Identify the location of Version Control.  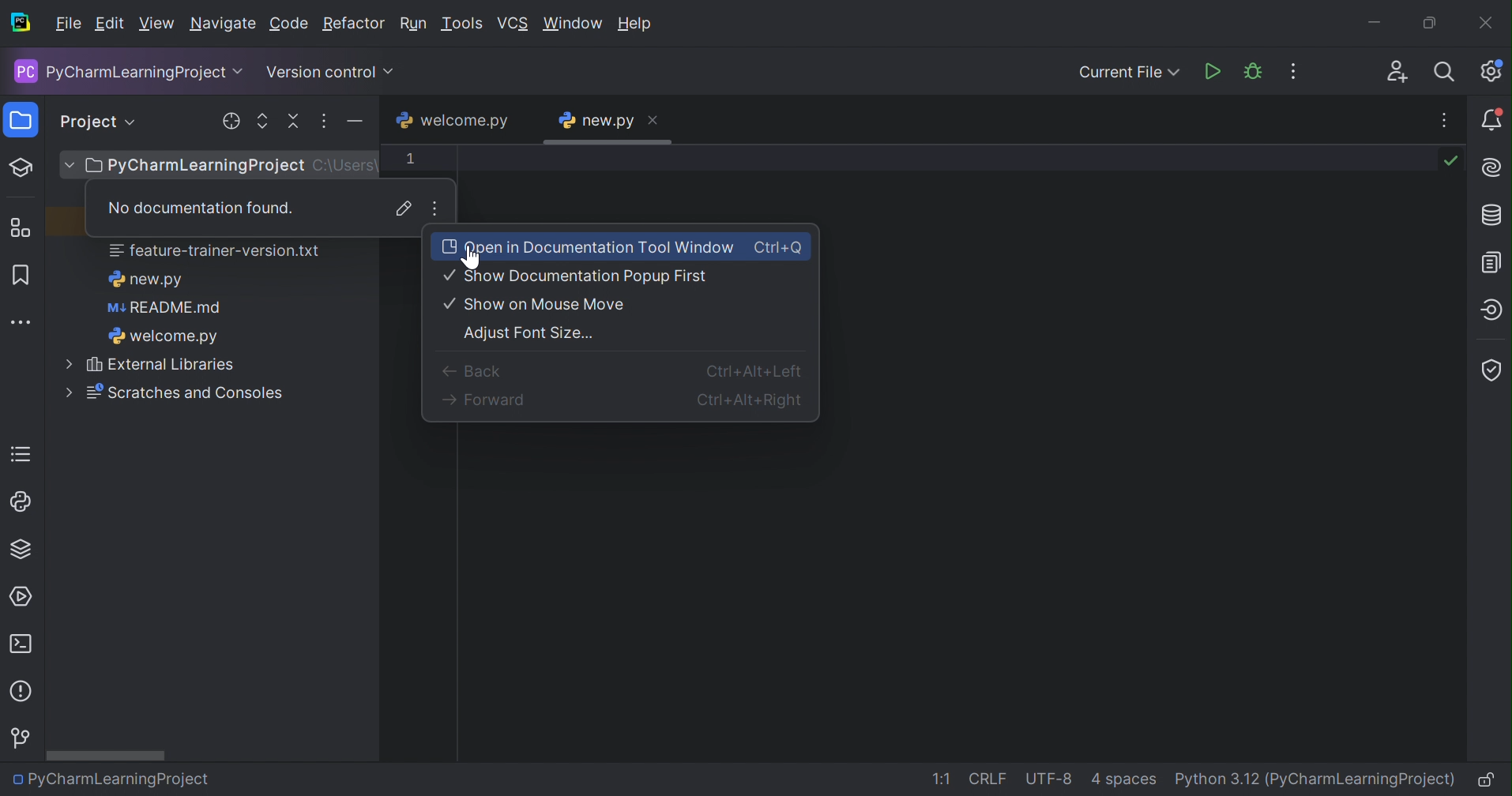
(22, 738).